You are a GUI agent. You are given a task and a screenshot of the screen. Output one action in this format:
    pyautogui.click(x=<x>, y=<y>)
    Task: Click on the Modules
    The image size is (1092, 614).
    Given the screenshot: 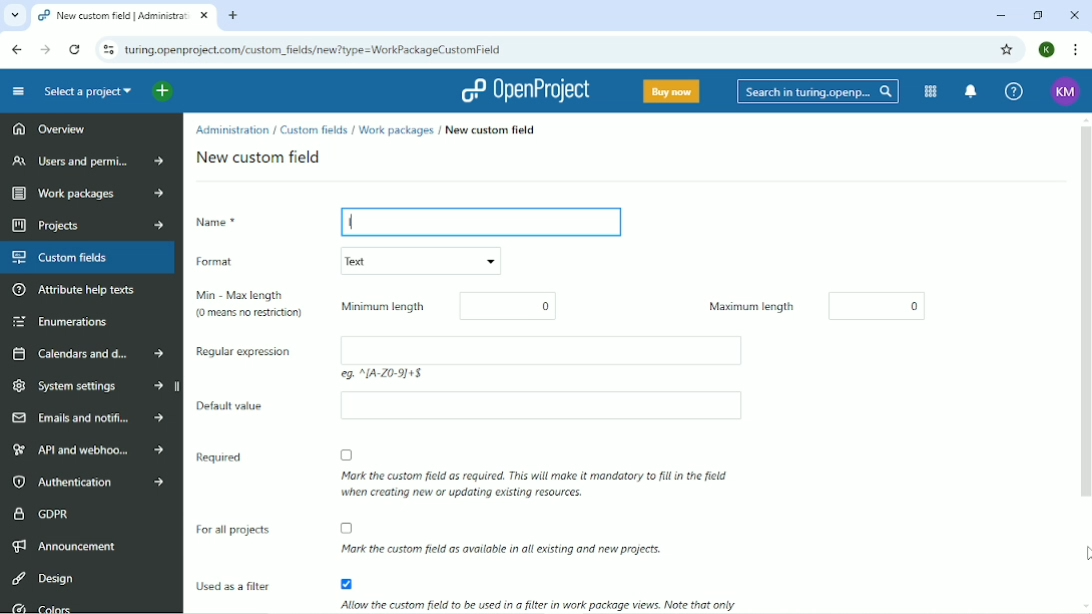 What is the action you would take?
    pyautogui.click(x=928, y=92)
    